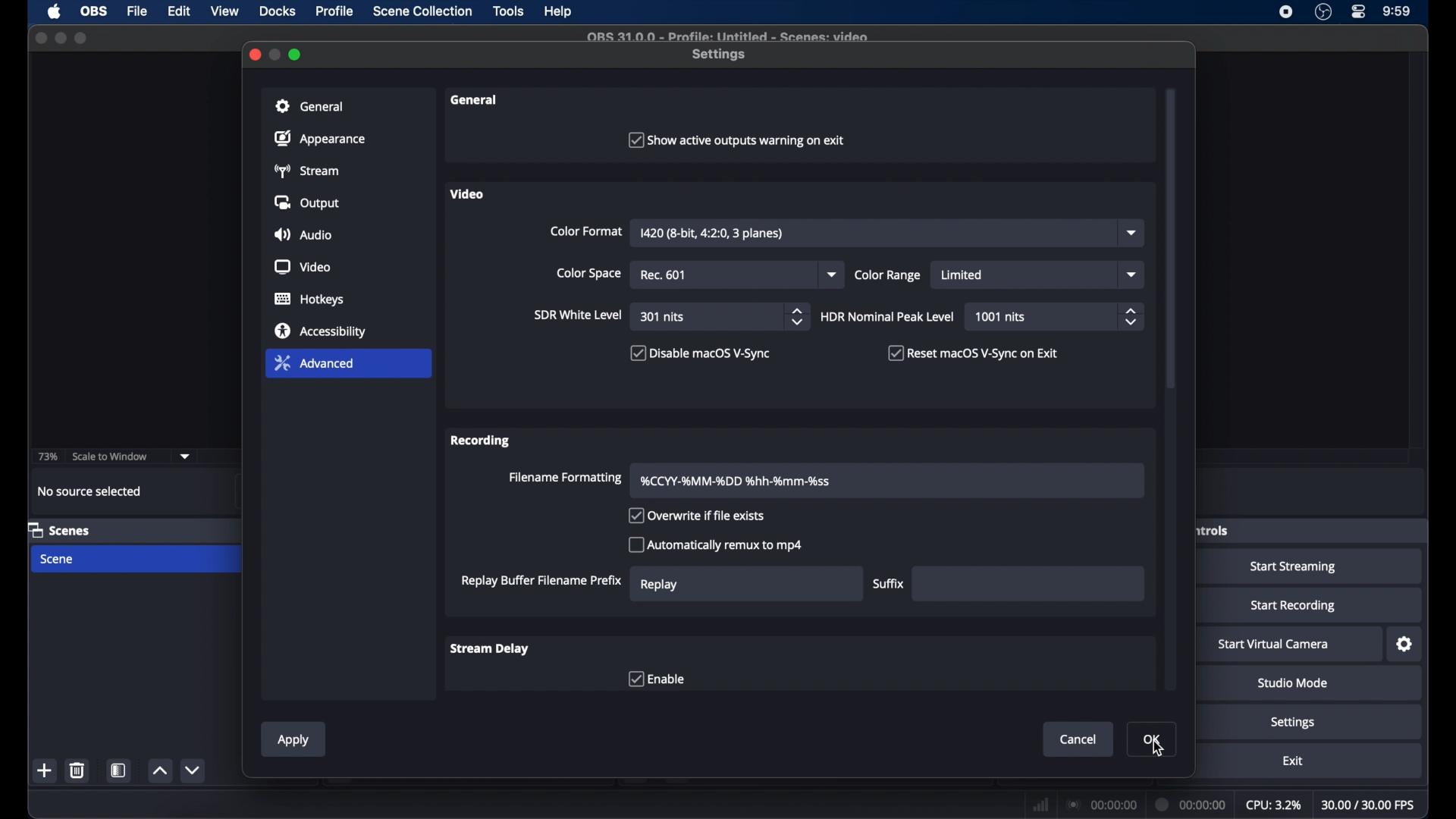  I want to click on obscure label, so click(1211, 530).